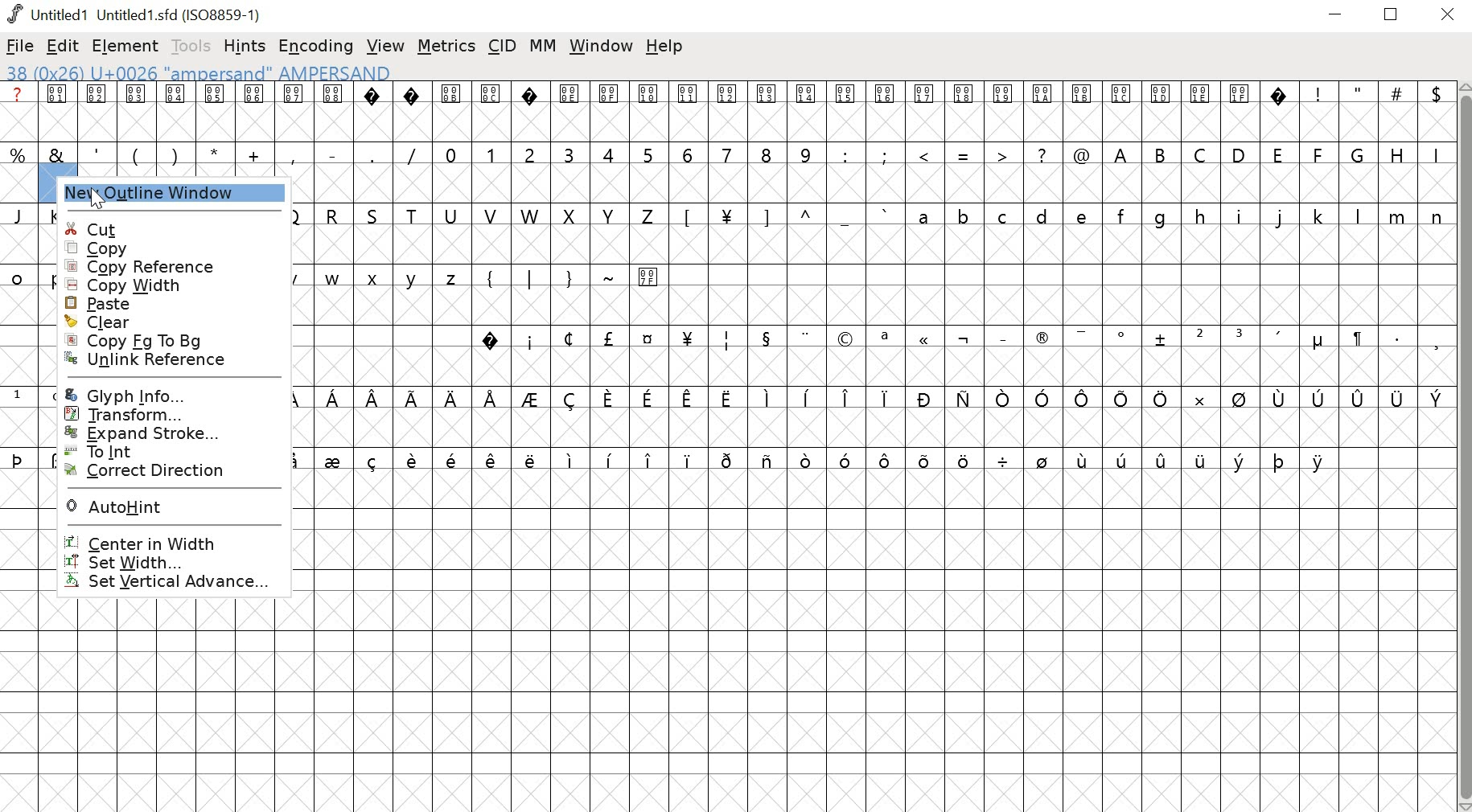 The height and width of the screenshot is (812, 1472). I want to click on f, so click(1125, 215).